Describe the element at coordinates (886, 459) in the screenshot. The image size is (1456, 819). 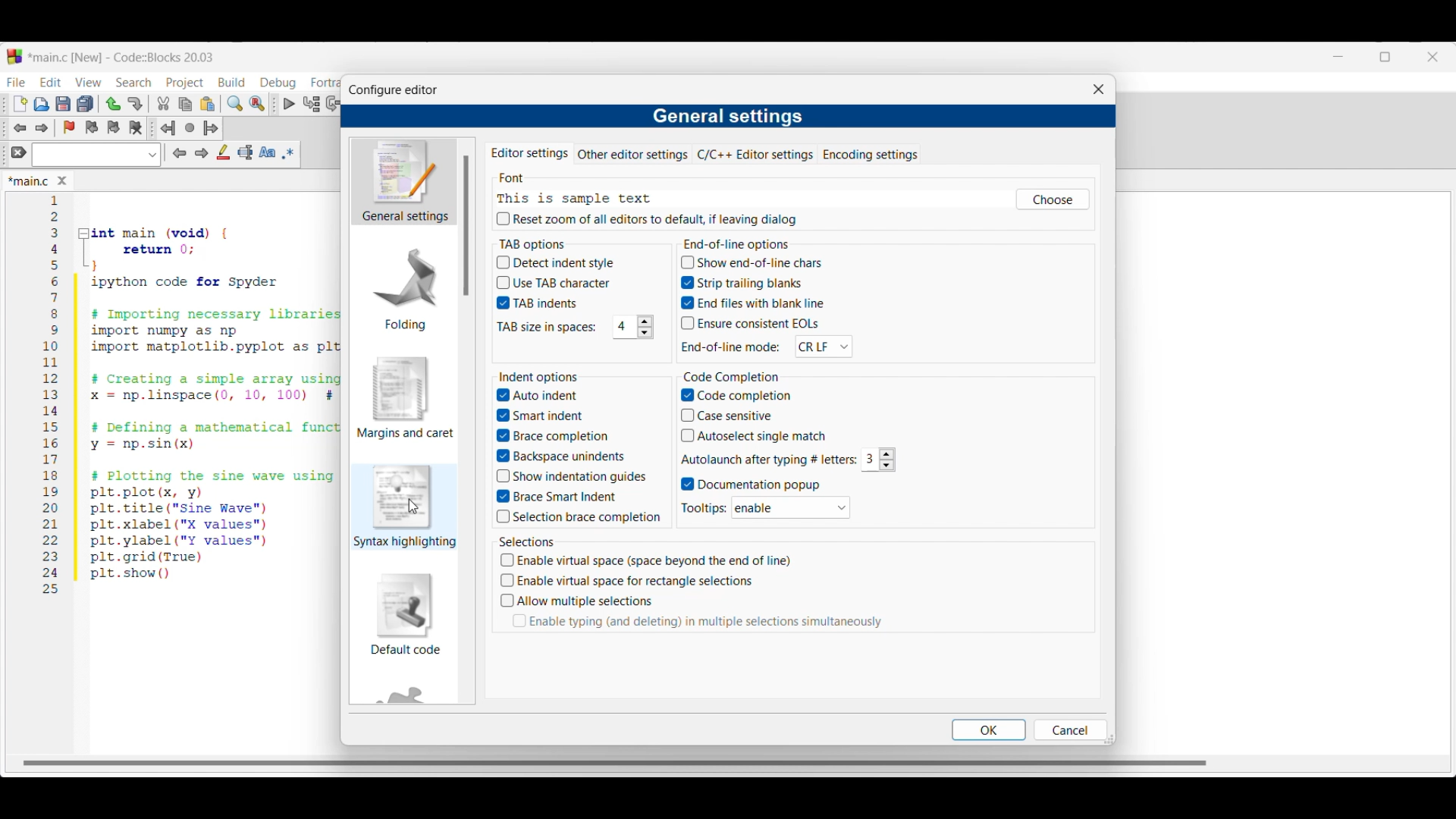
I see `Increase/Decrease number of letters` at that location.